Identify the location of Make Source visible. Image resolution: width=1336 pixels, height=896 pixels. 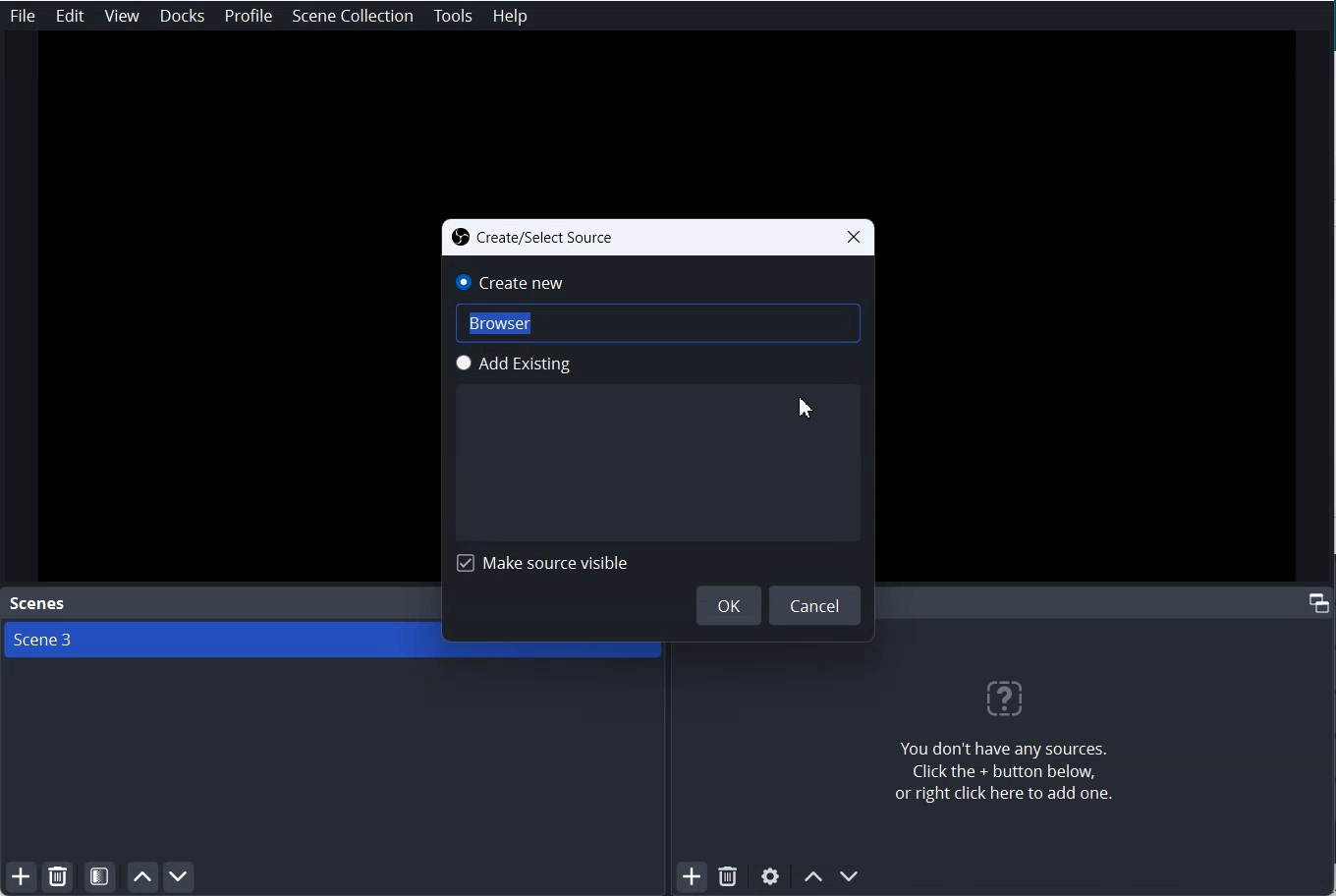
(544, 562).